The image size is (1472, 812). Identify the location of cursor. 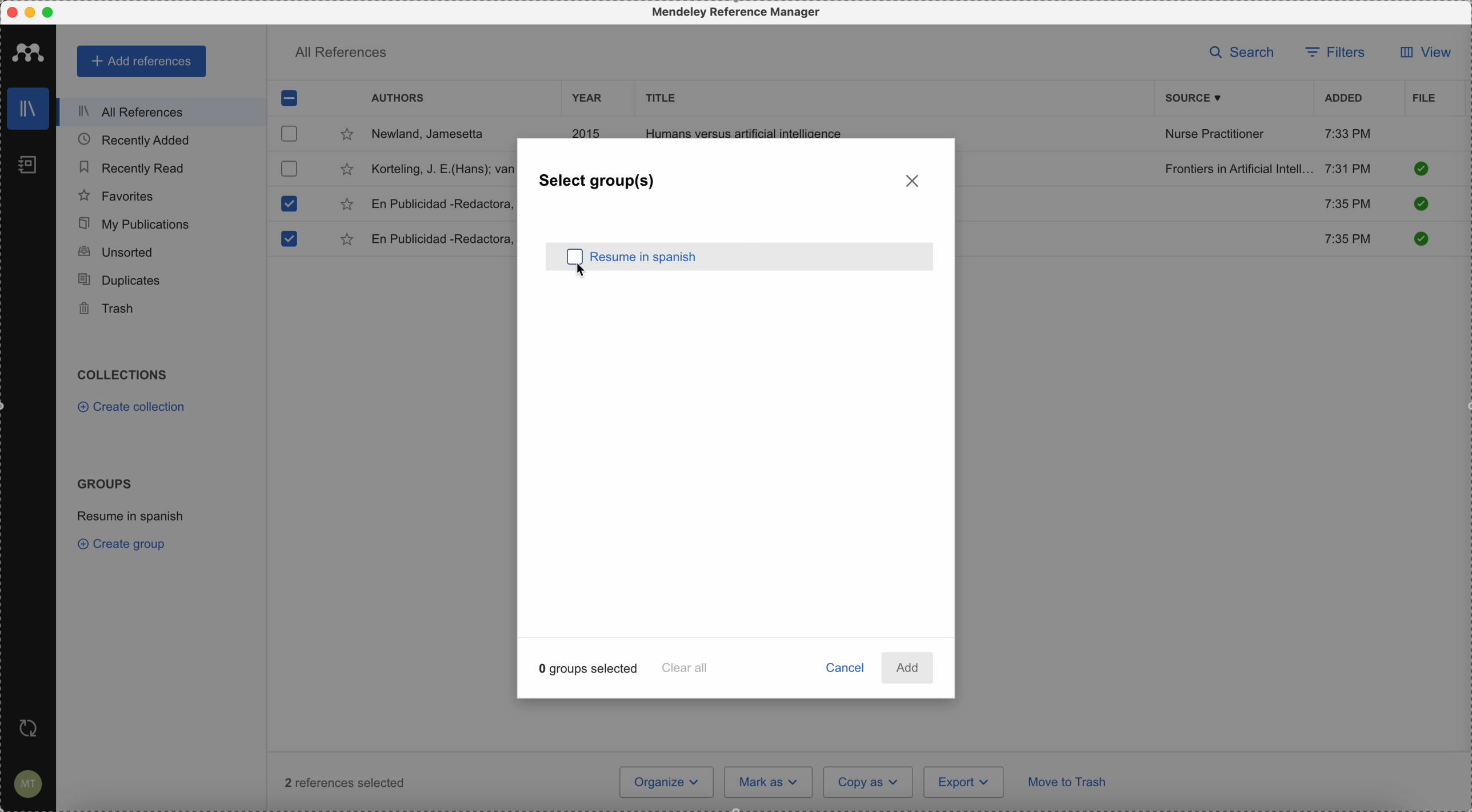
(574, 263).